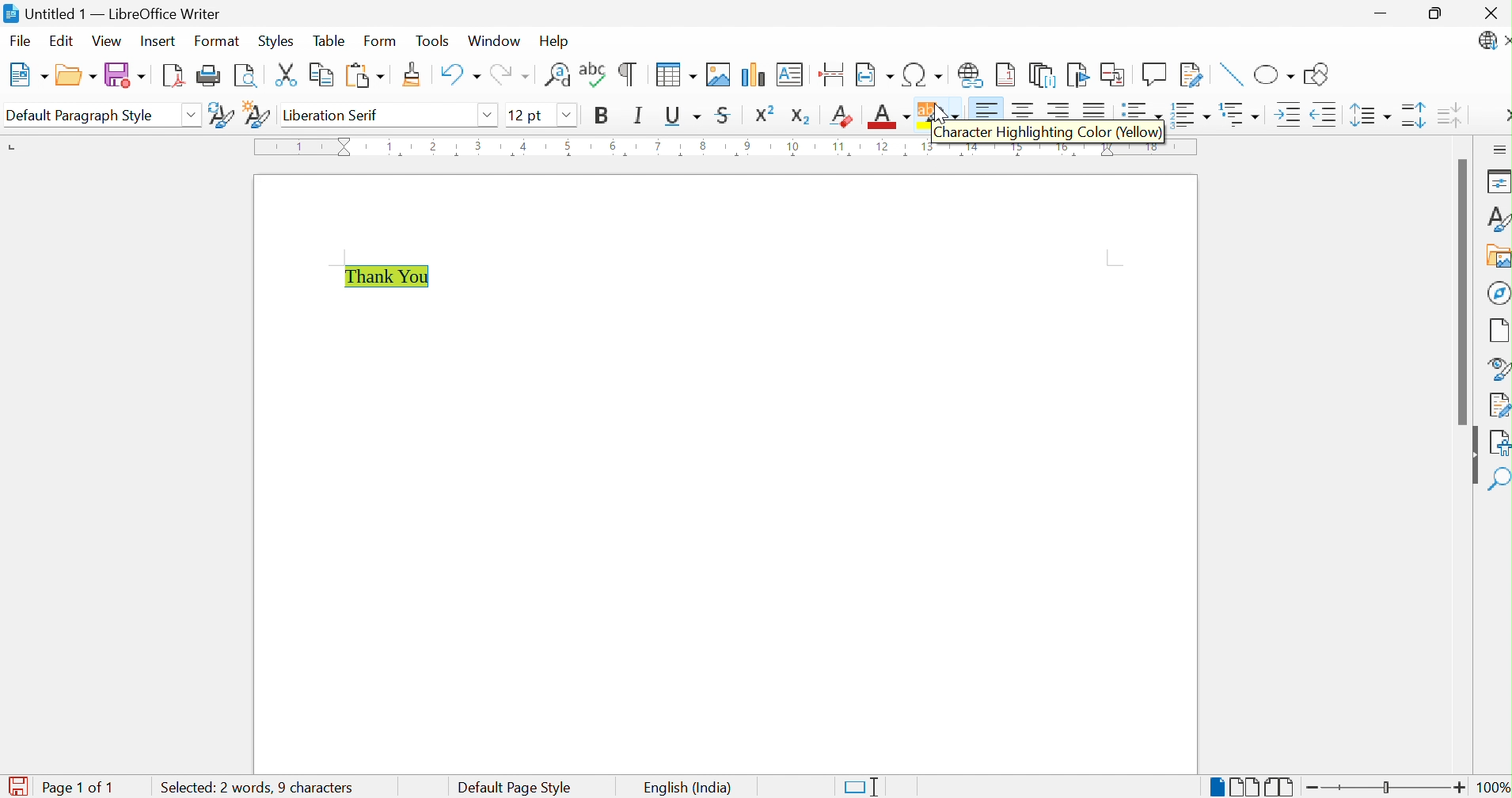  What do you see at coordinates (1100, 108) in the screenshot?
I see `Justified` at bounding box center [1100, 108].